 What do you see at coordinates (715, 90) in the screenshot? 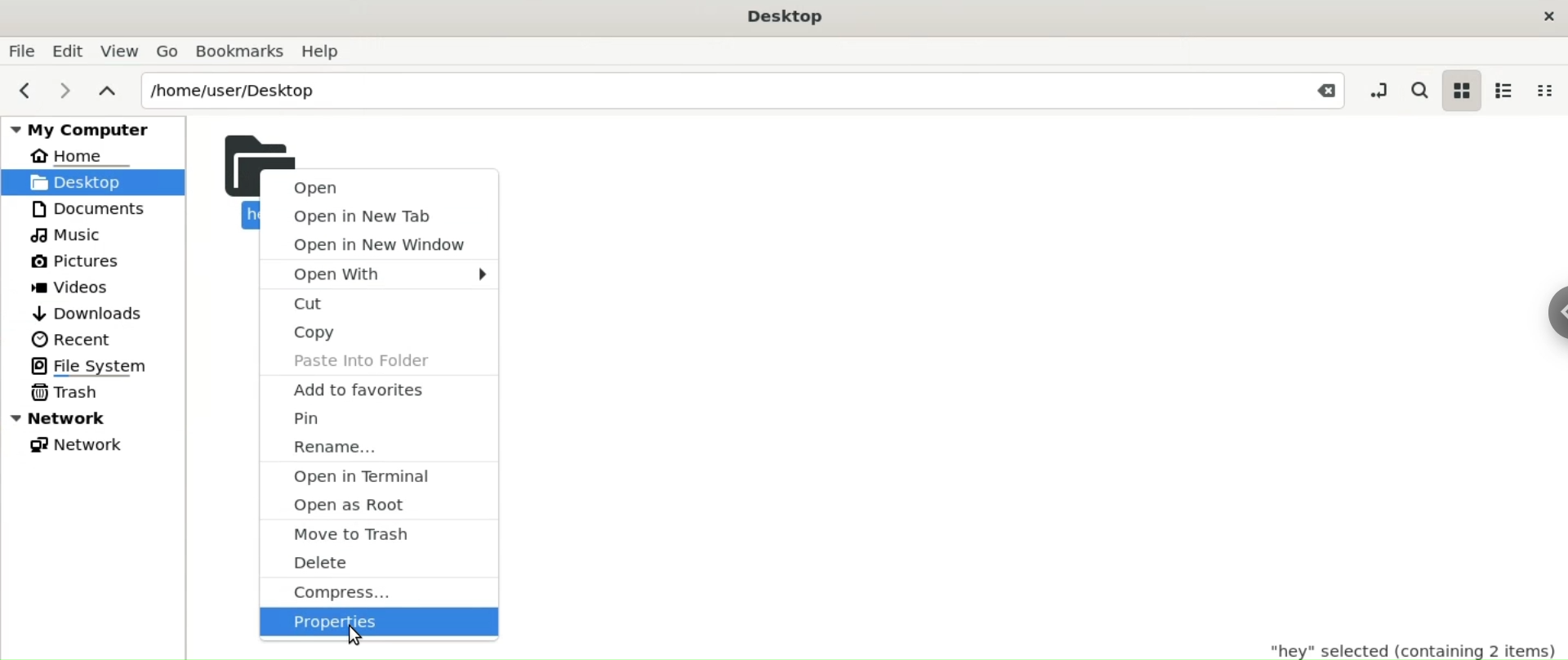
I see `/home/user/Desktop` at bounding box center [715, 90].